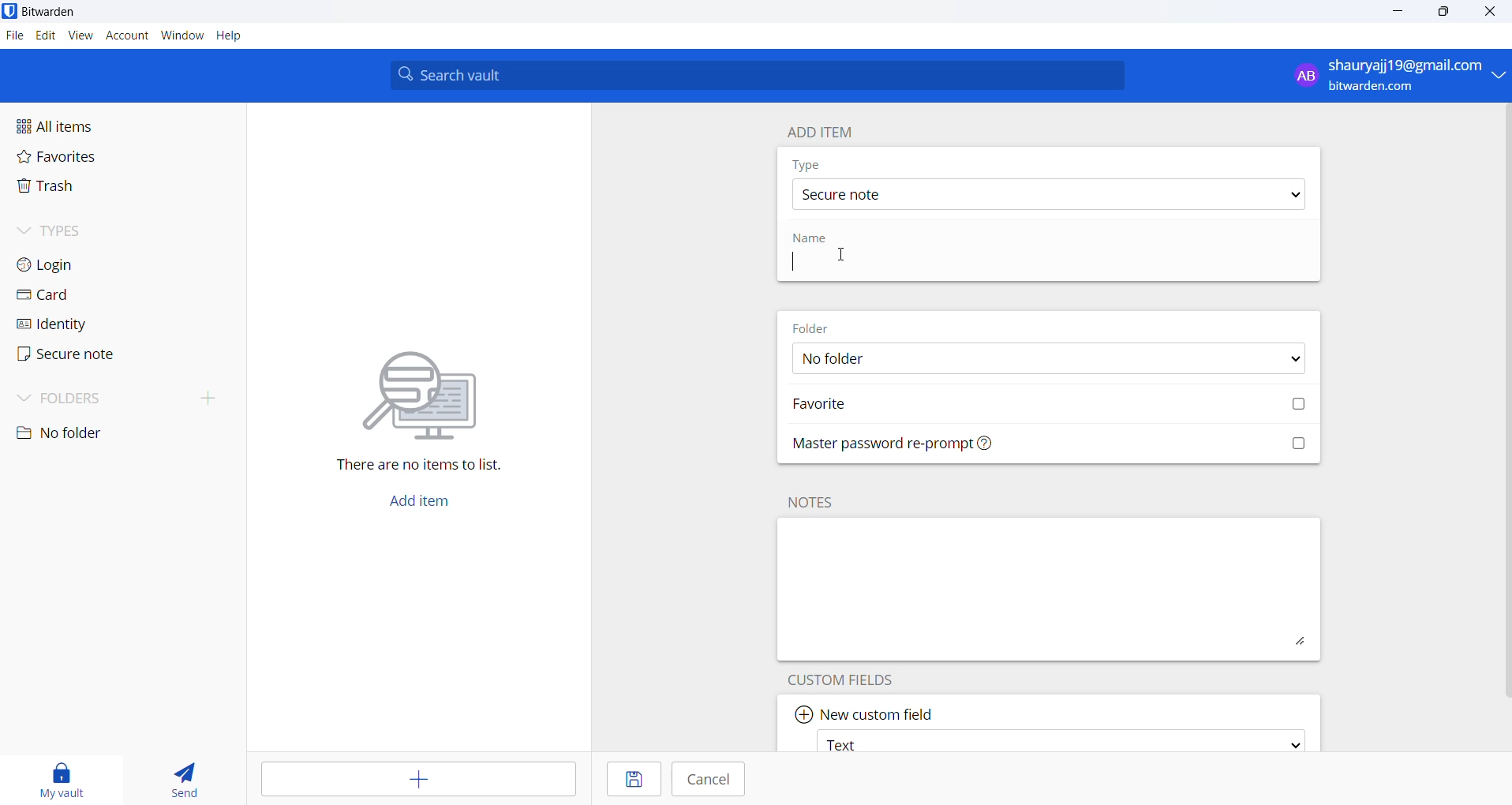 Image resolution: width=1512 pixels, height=805 pixels. Describe the element at coordinates (13, 36) in the screenshot. I see `file` at that location.